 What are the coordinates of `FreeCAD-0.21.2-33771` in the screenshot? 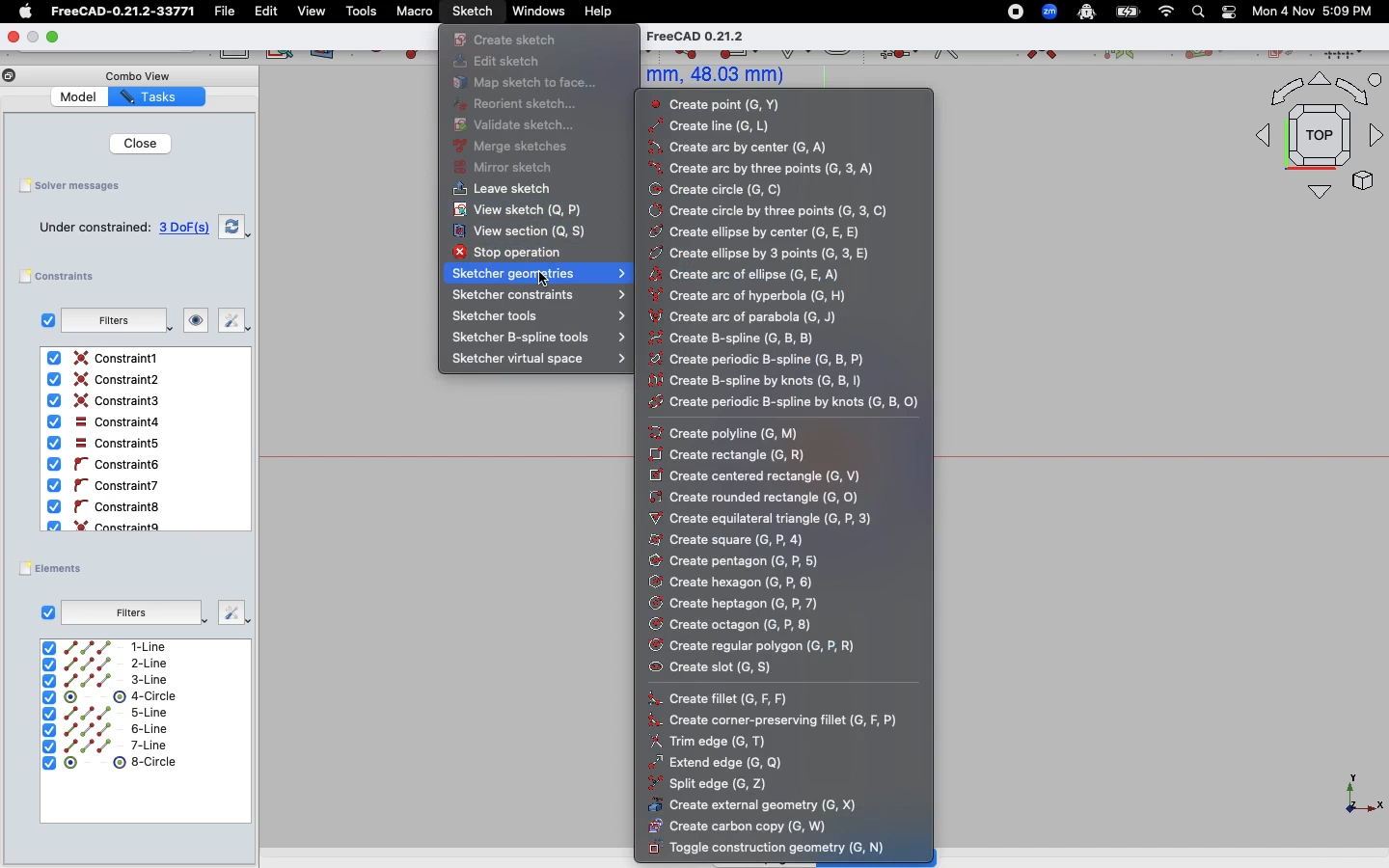 It's located at (123, 12).